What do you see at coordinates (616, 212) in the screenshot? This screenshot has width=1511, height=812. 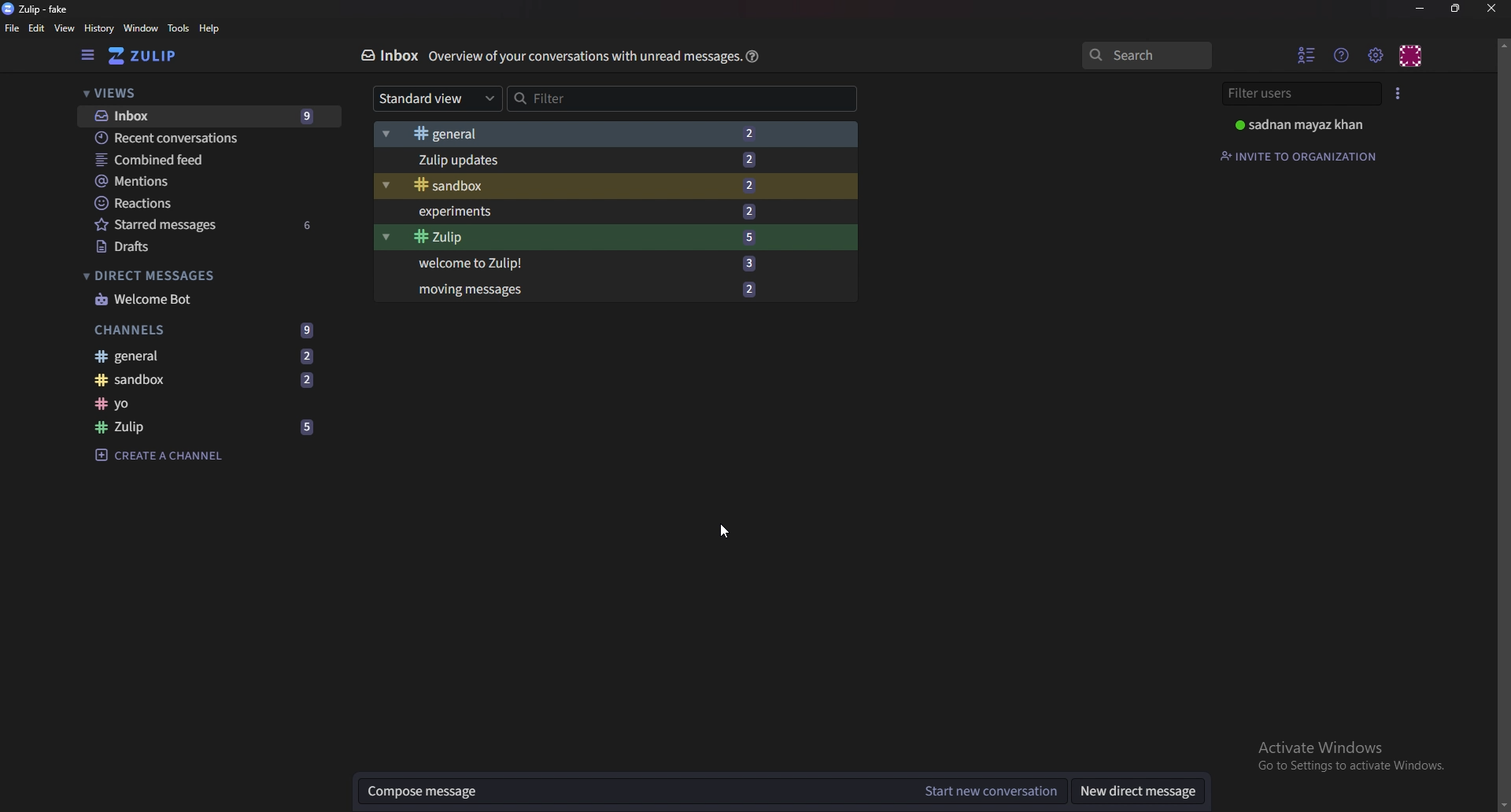 I see `Experiments` at bounding box center [616, 212].